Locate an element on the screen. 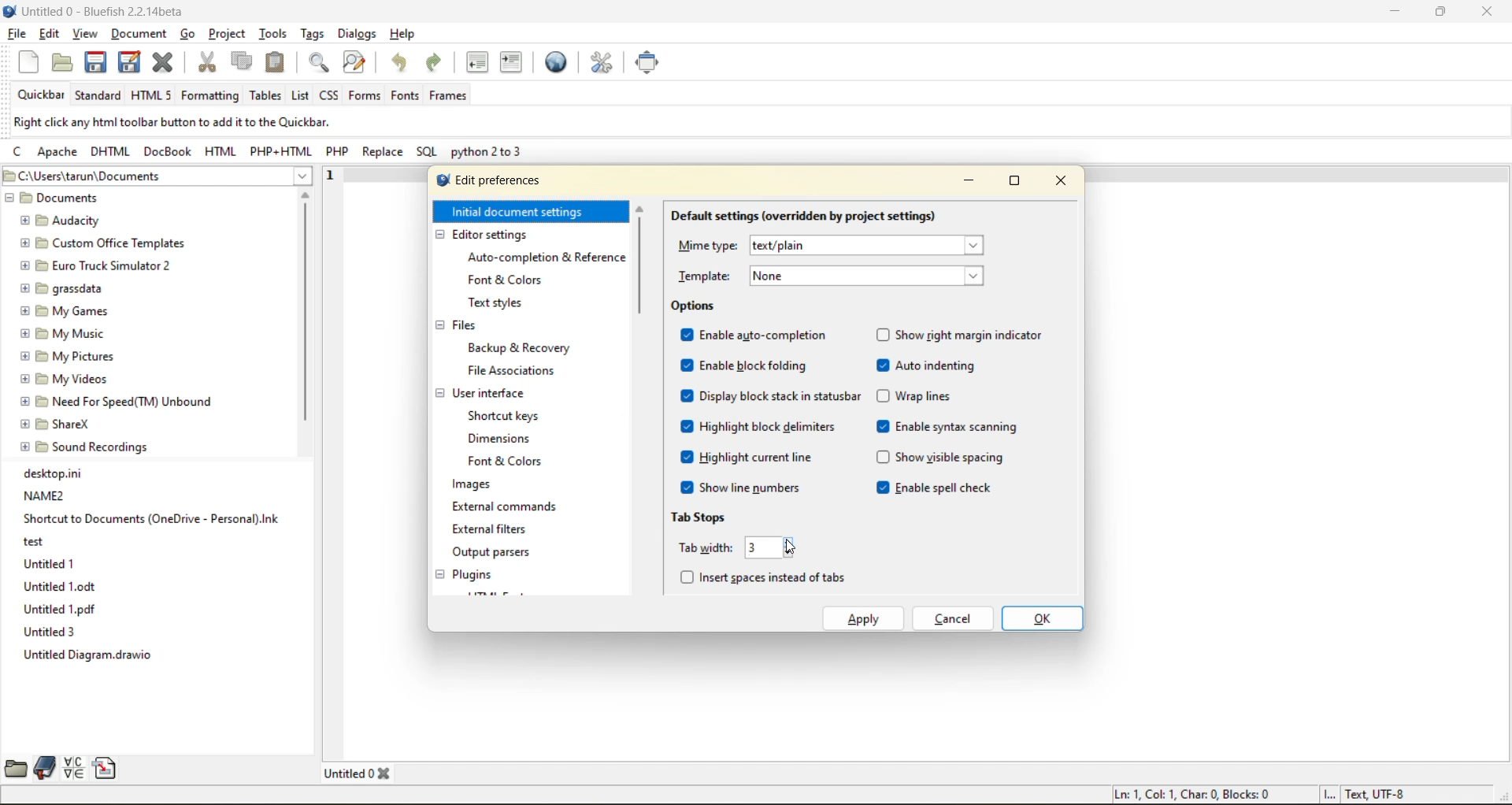  file is located at coordinates (15, 33).